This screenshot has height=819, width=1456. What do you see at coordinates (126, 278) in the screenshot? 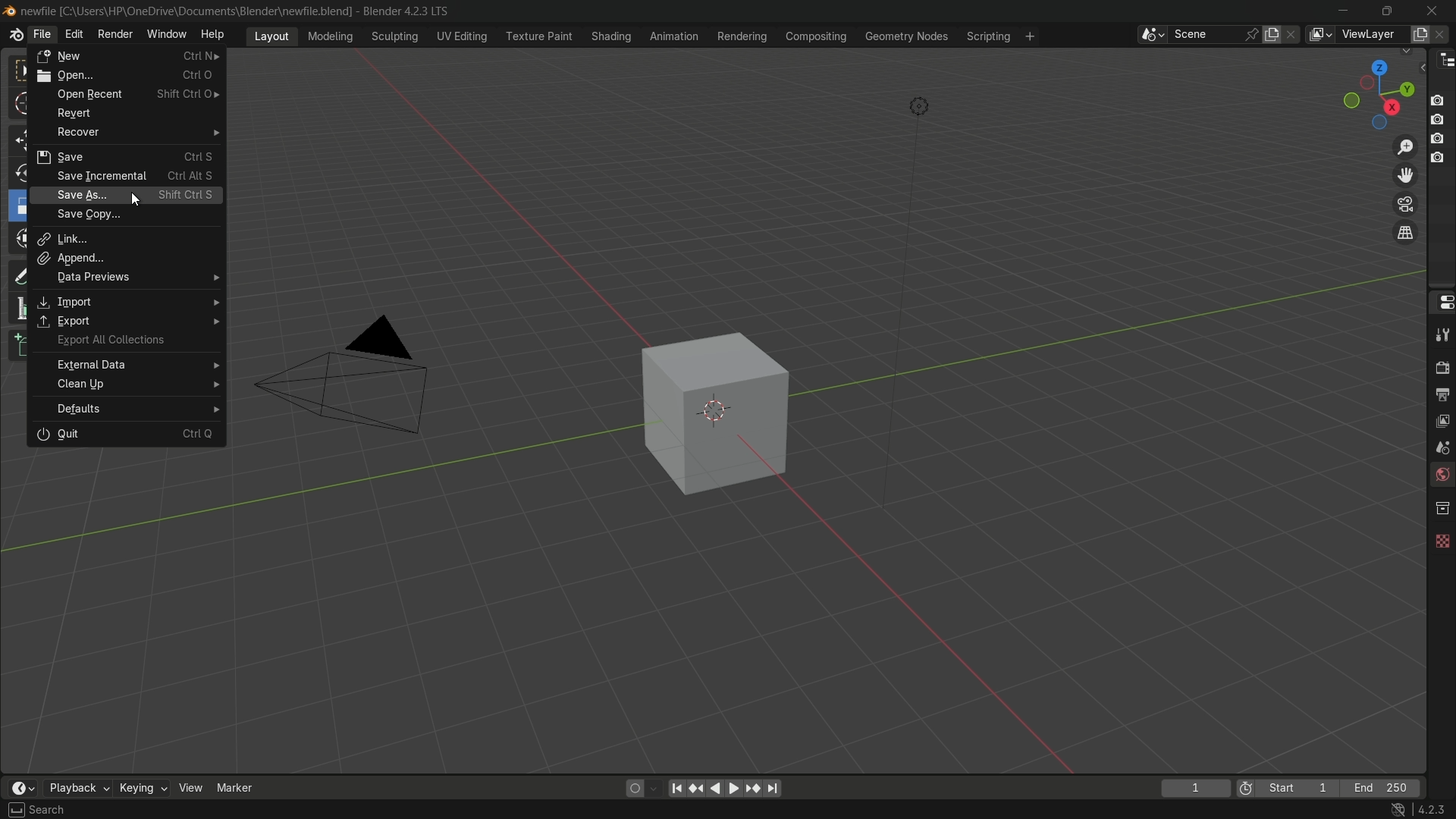
I see `data previews` at bounding box center [126, 278].